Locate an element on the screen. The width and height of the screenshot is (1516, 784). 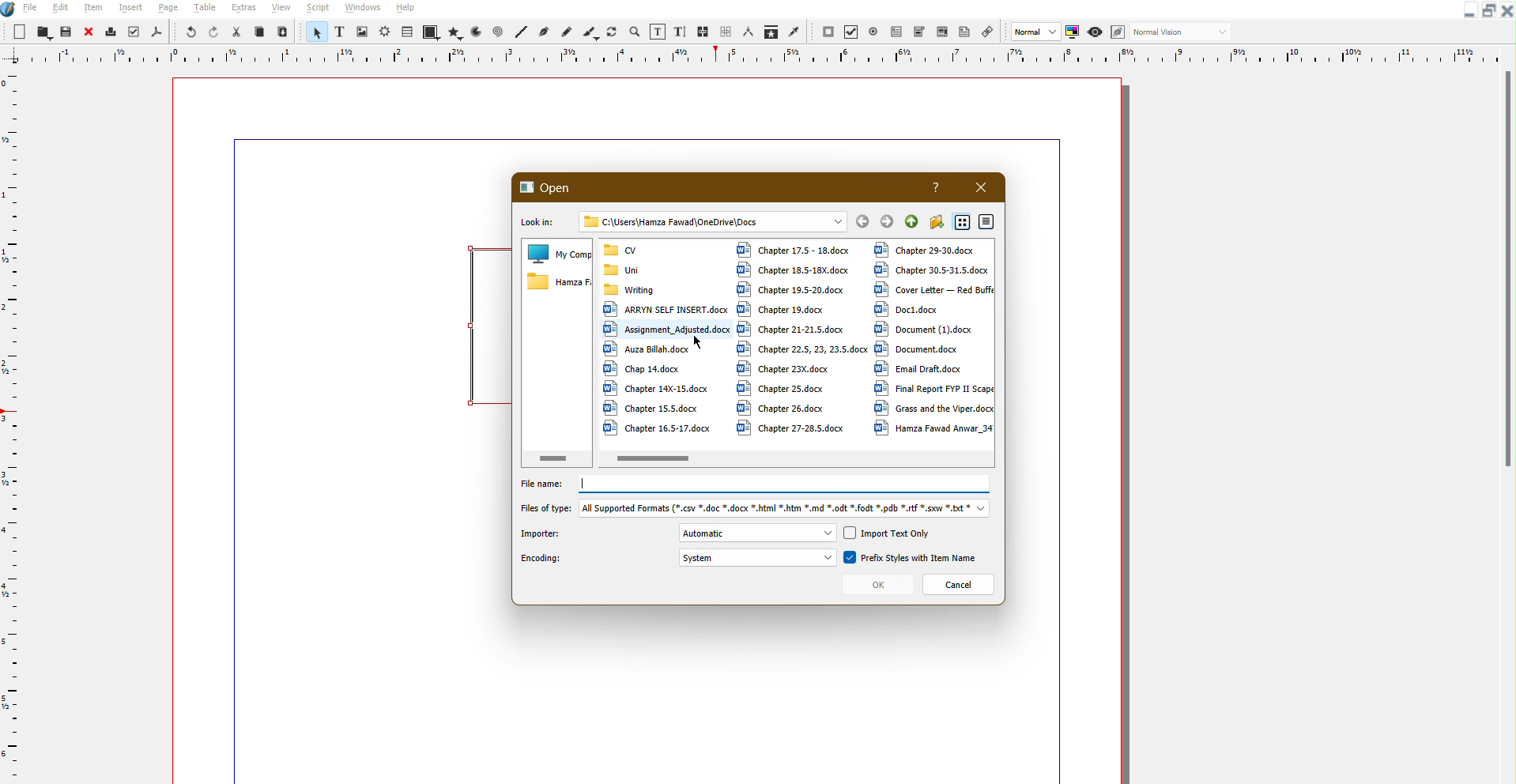
Brightness is located at coordinates (385, 32).